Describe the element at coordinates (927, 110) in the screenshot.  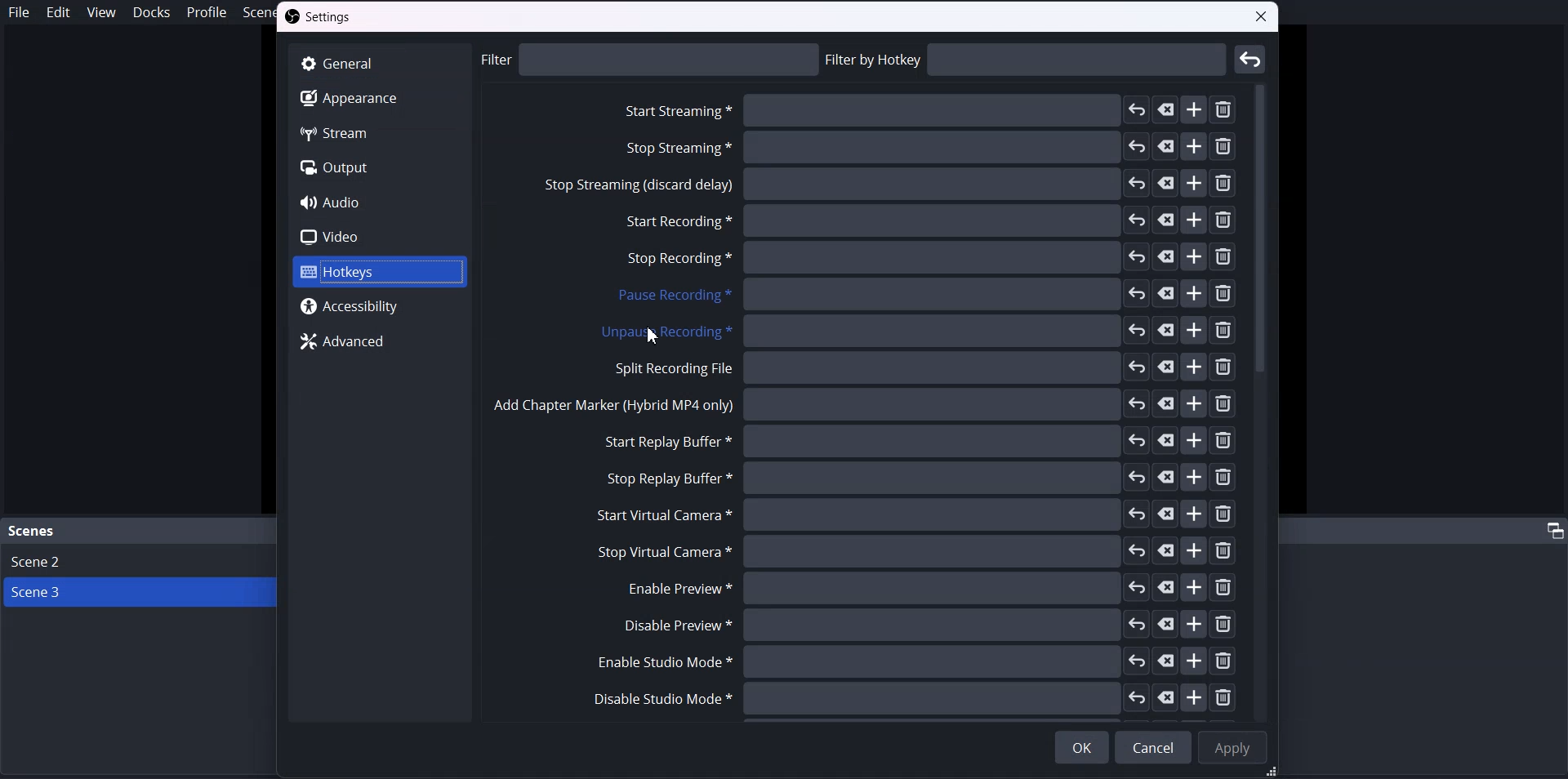
I see `Start streaming` at that location.